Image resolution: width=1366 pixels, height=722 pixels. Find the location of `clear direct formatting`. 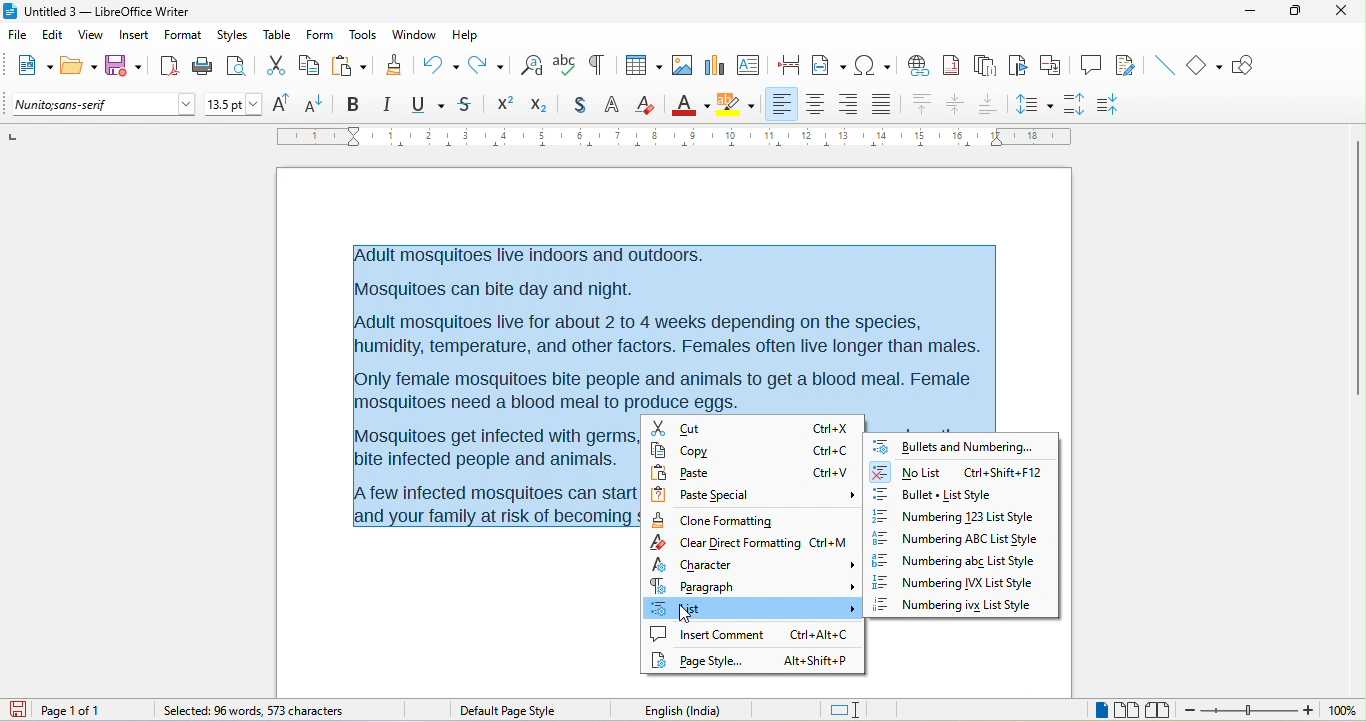

clear direct formatting is located at coordinates (648, 106).